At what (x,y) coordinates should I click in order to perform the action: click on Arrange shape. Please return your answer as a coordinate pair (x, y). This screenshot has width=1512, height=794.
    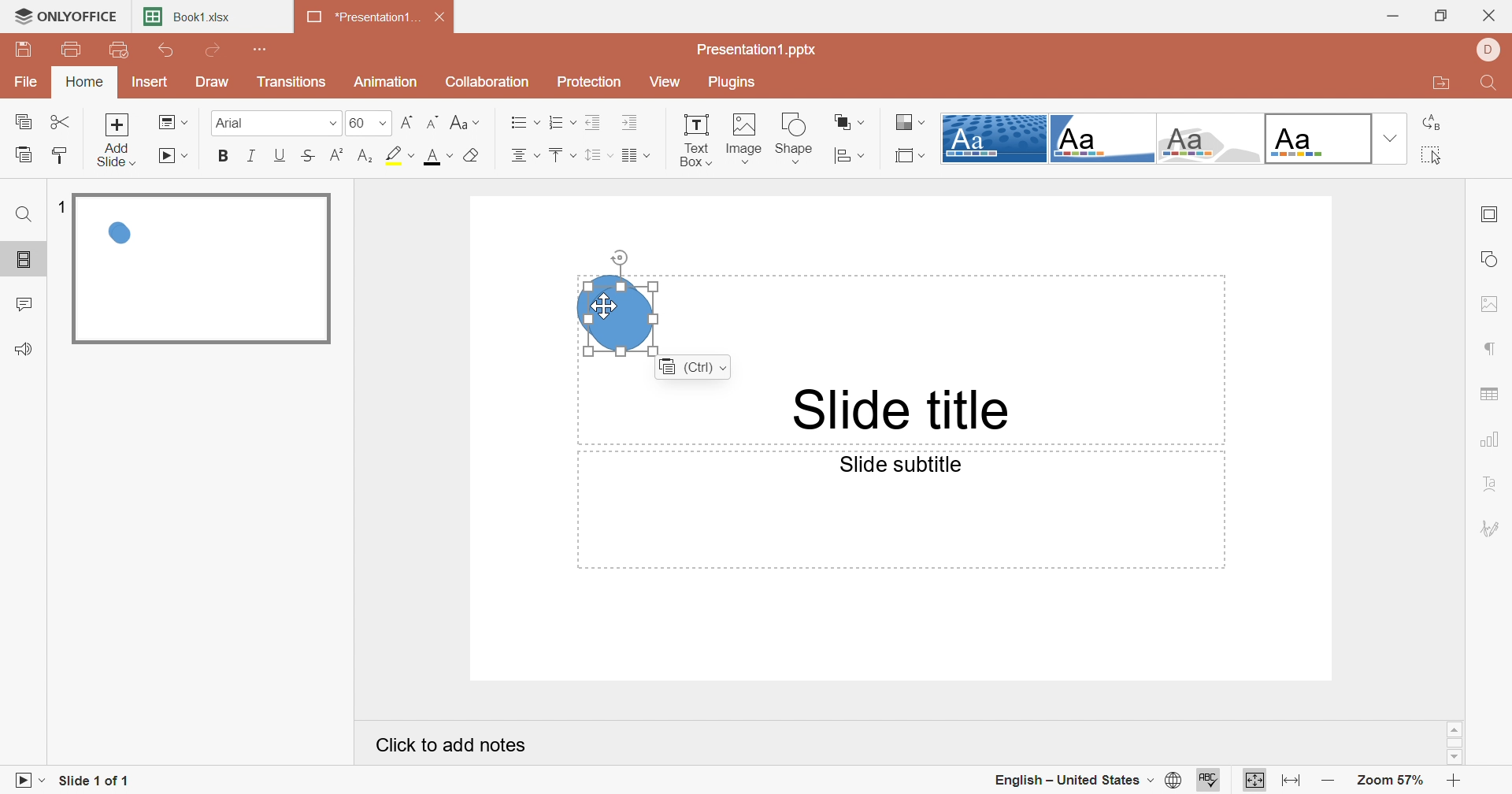
    Looking at the image, I should click on (849, 121).